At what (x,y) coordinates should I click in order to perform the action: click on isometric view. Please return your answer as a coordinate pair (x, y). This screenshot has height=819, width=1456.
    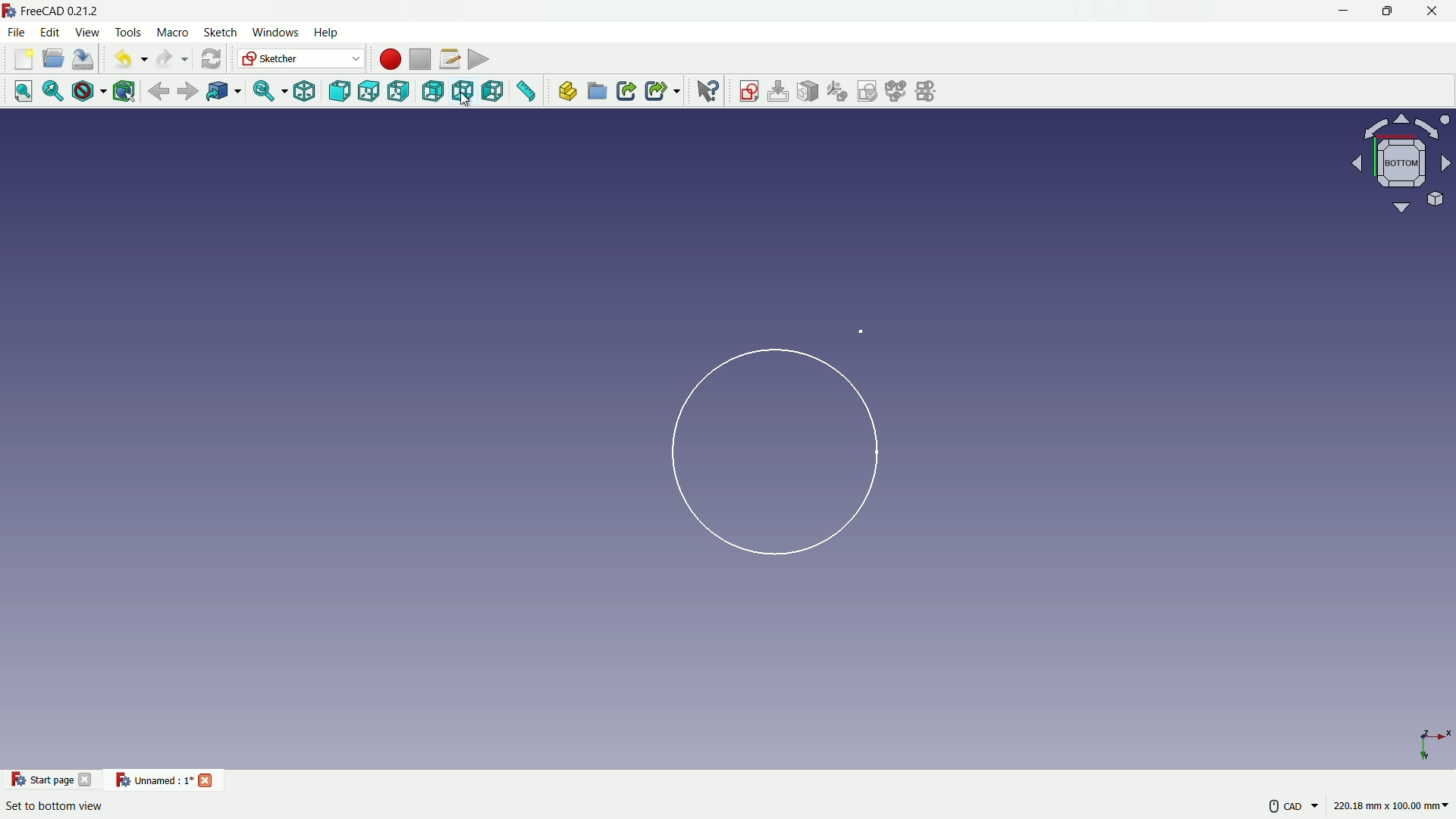
    Looking at the image, I should click on (308, 92).